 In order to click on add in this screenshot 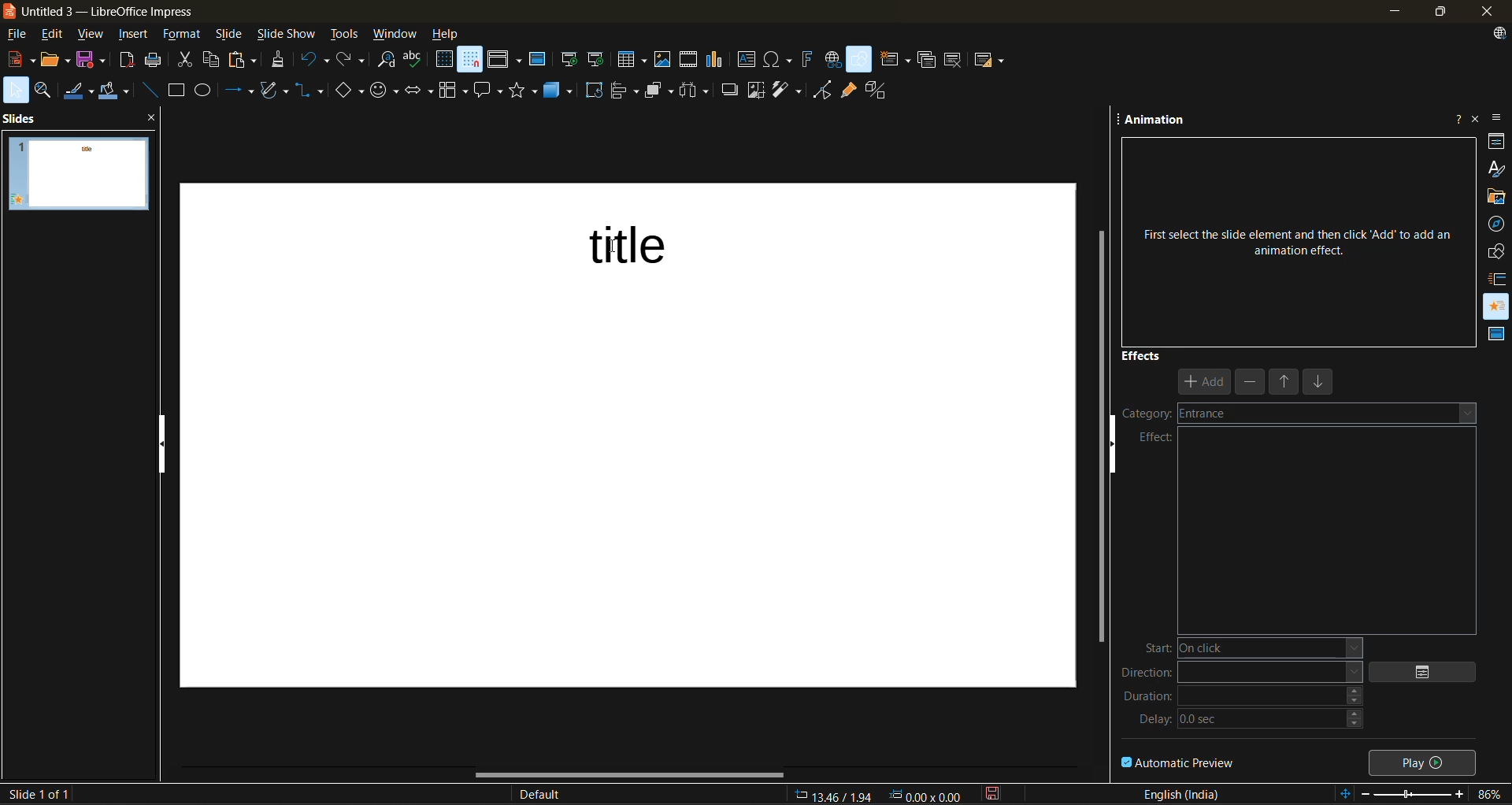, I will do `click(1206, 383)`.